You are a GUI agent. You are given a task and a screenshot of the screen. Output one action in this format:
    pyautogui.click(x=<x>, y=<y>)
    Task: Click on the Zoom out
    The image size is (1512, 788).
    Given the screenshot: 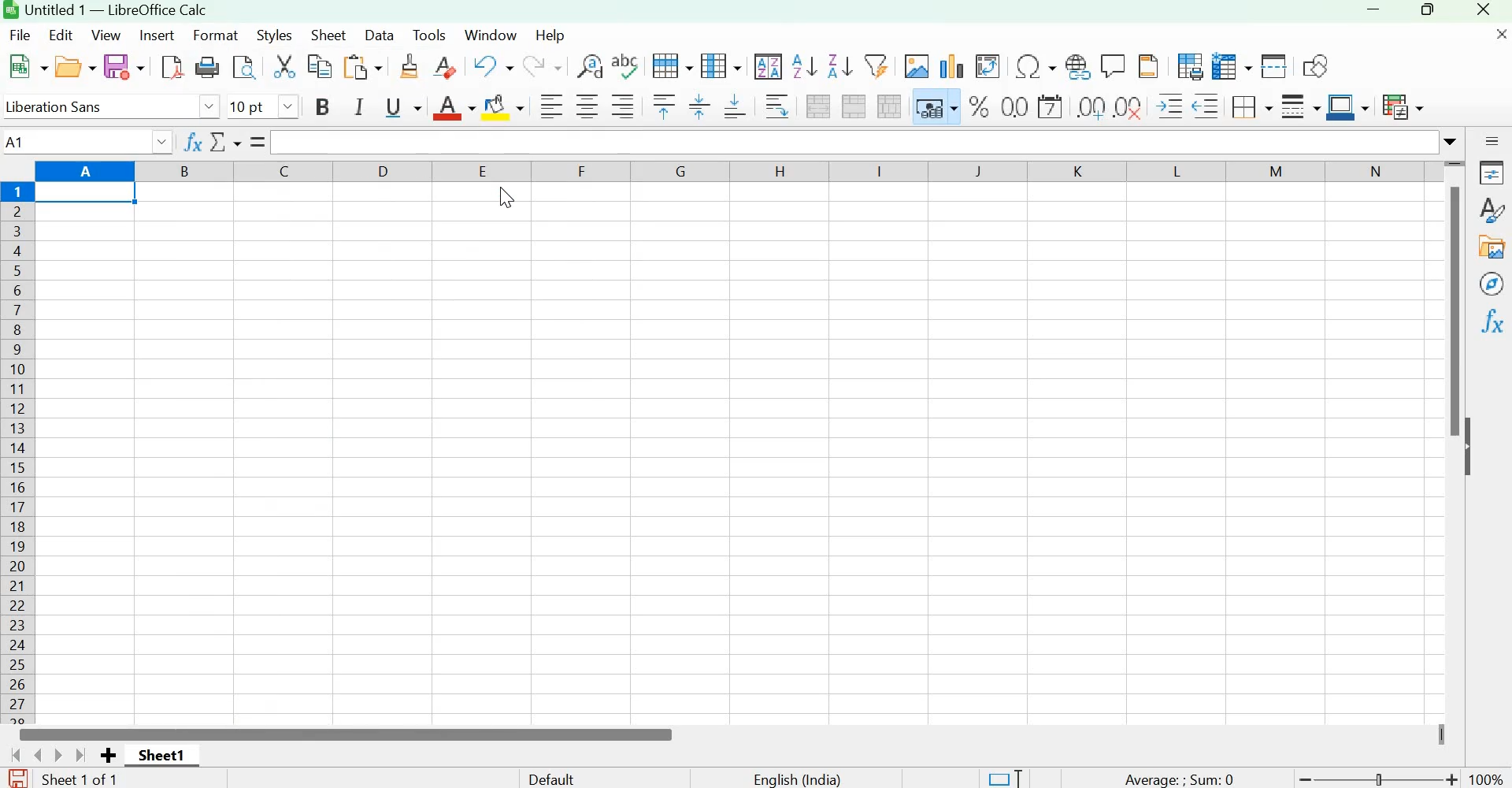 What is the action you would take?
    pyautogui.click(x=1305, y=779)
    